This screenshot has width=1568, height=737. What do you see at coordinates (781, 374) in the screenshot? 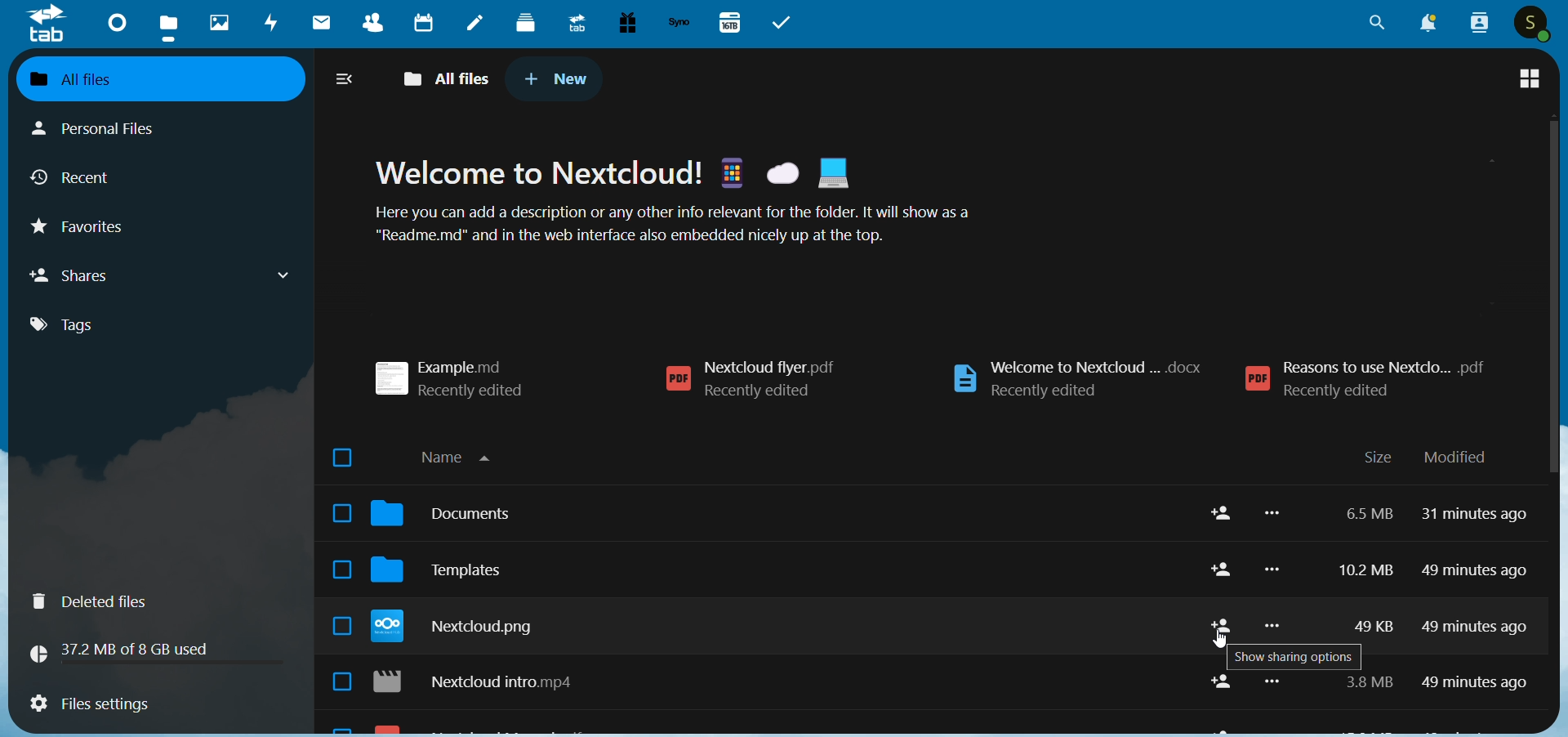
I see `nextcloud flyer` at bounding box center [781, 374].